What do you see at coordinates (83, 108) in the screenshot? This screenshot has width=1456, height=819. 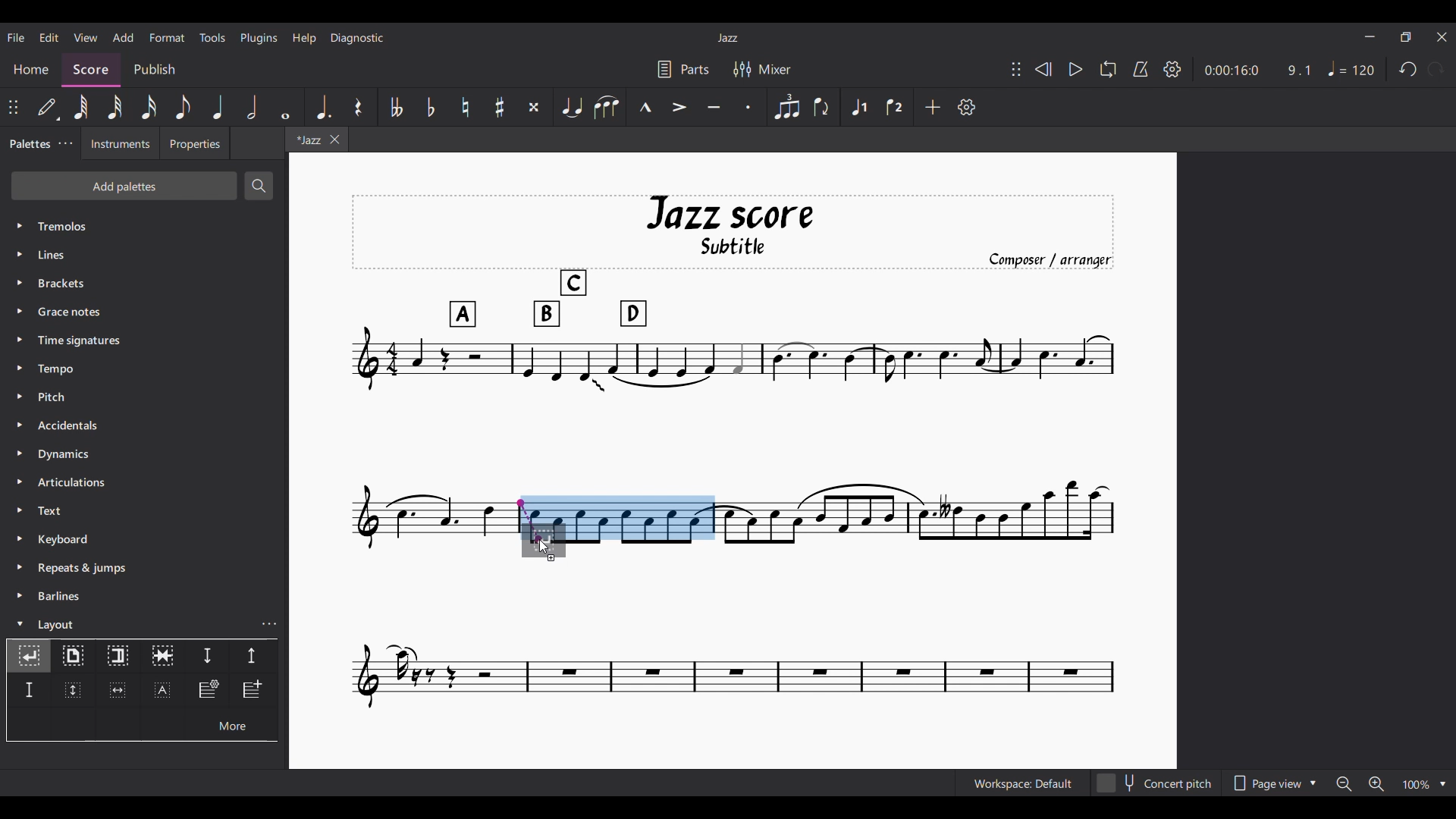 I see `64th note` at bounding box center [83, 108].